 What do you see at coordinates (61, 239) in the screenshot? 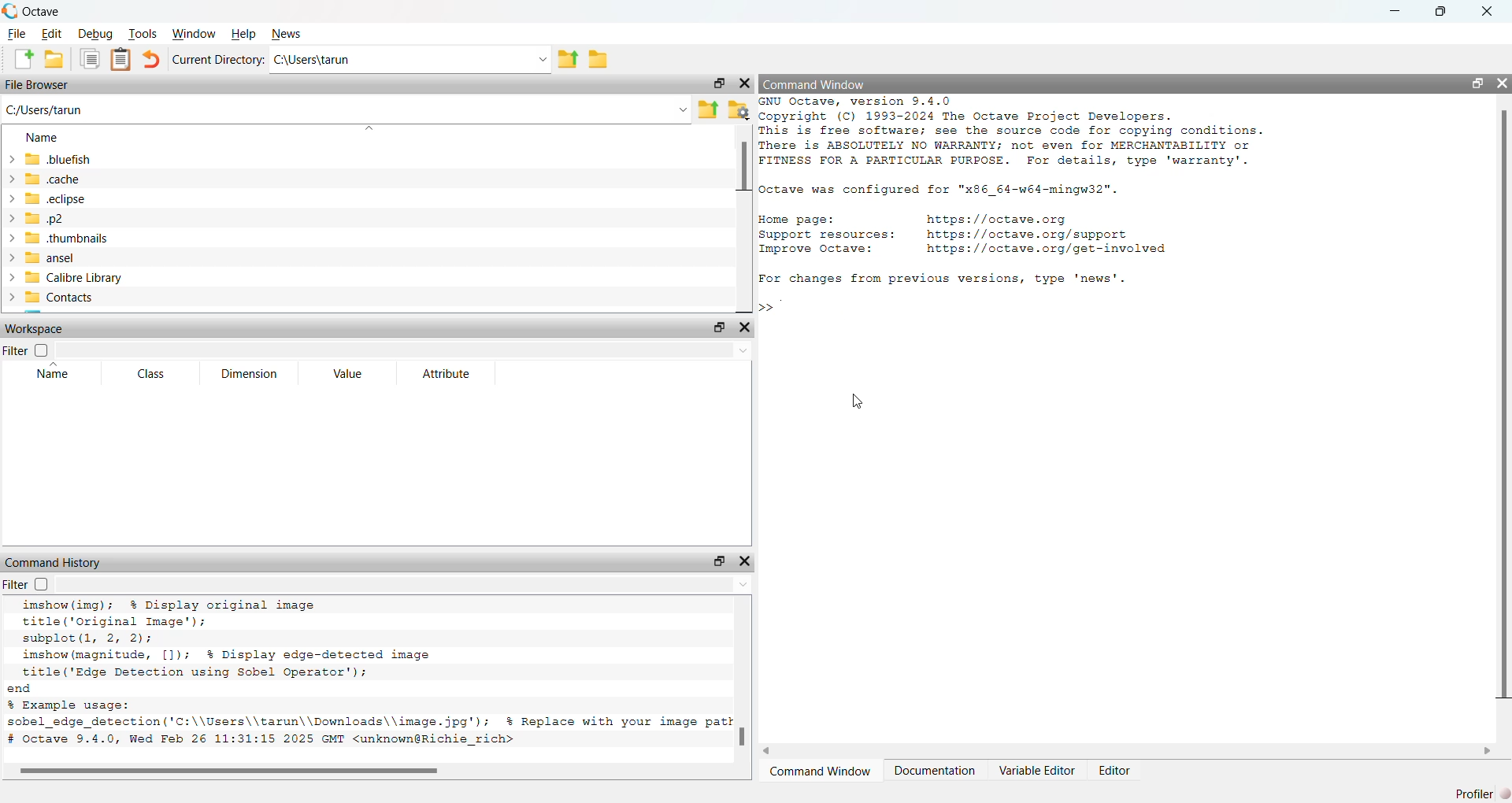
I see ` thumbnails` at bounding box center [61, 239].